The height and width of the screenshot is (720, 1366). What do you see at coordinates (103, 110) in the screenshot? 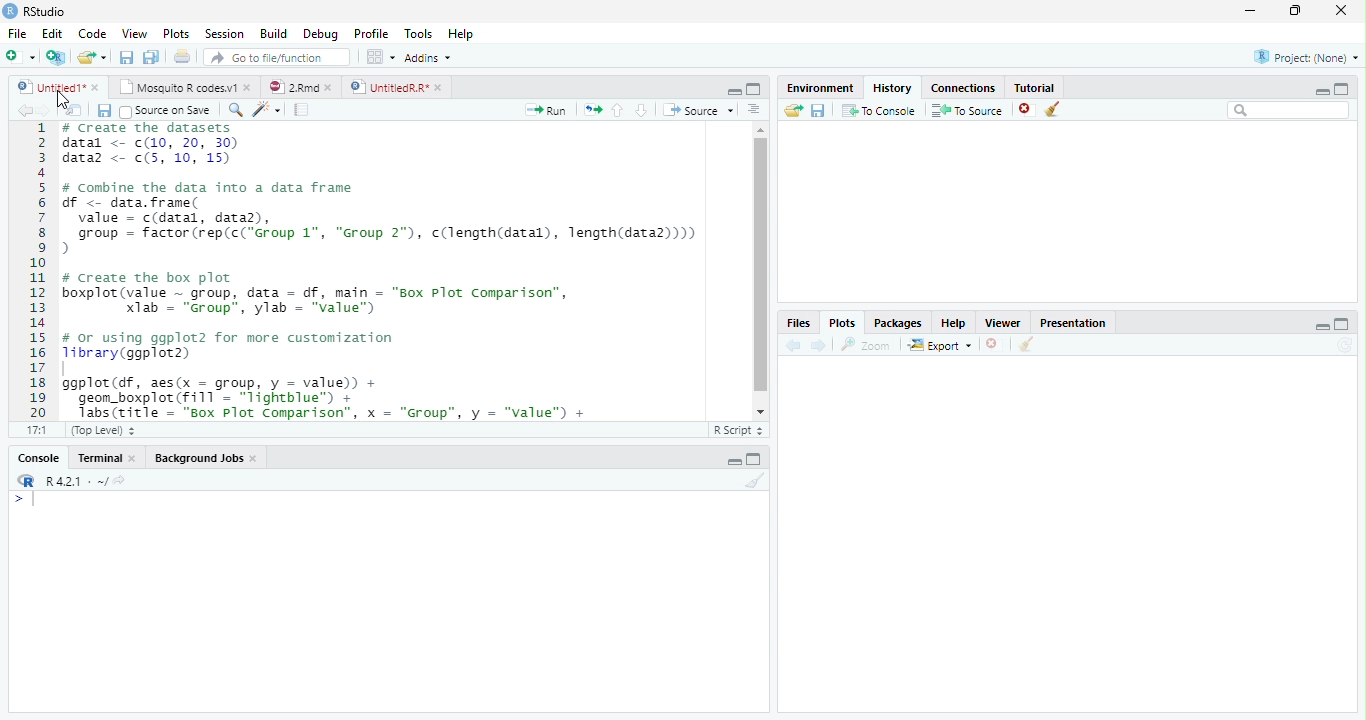
I see `Save current document` at bounding box center [103, 110].